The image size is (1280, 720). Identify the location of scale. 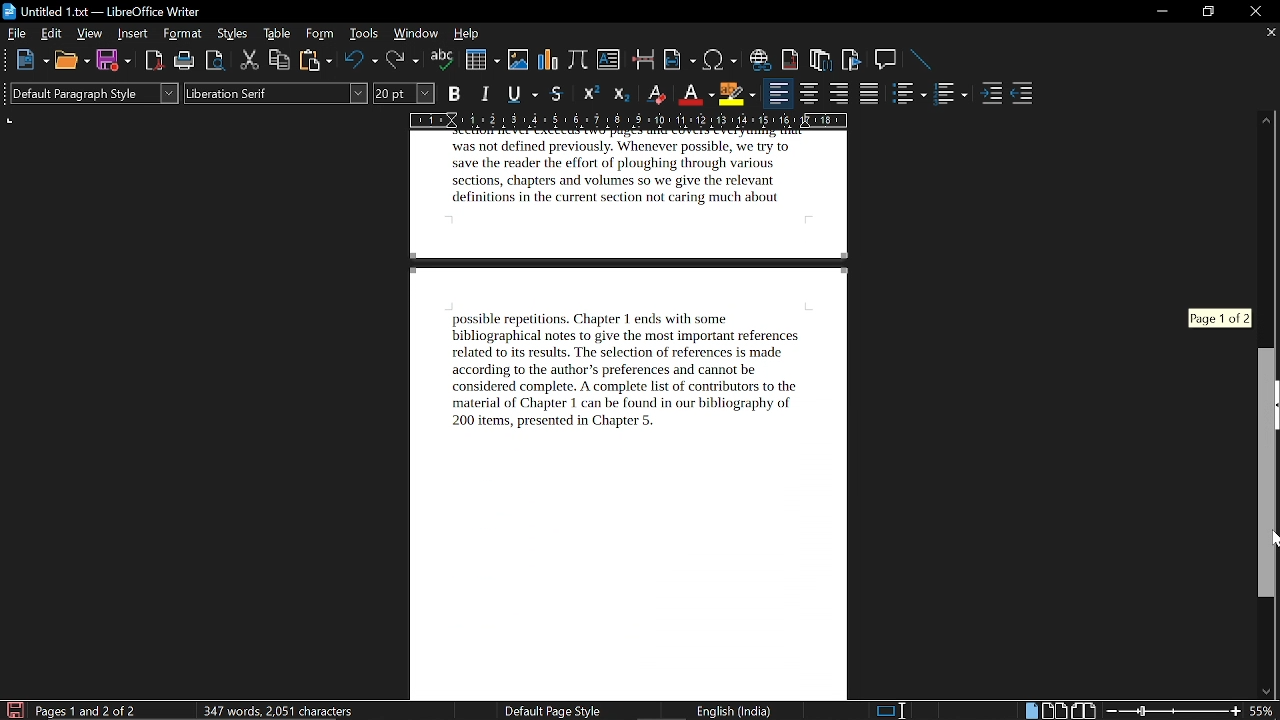
(629, 119).